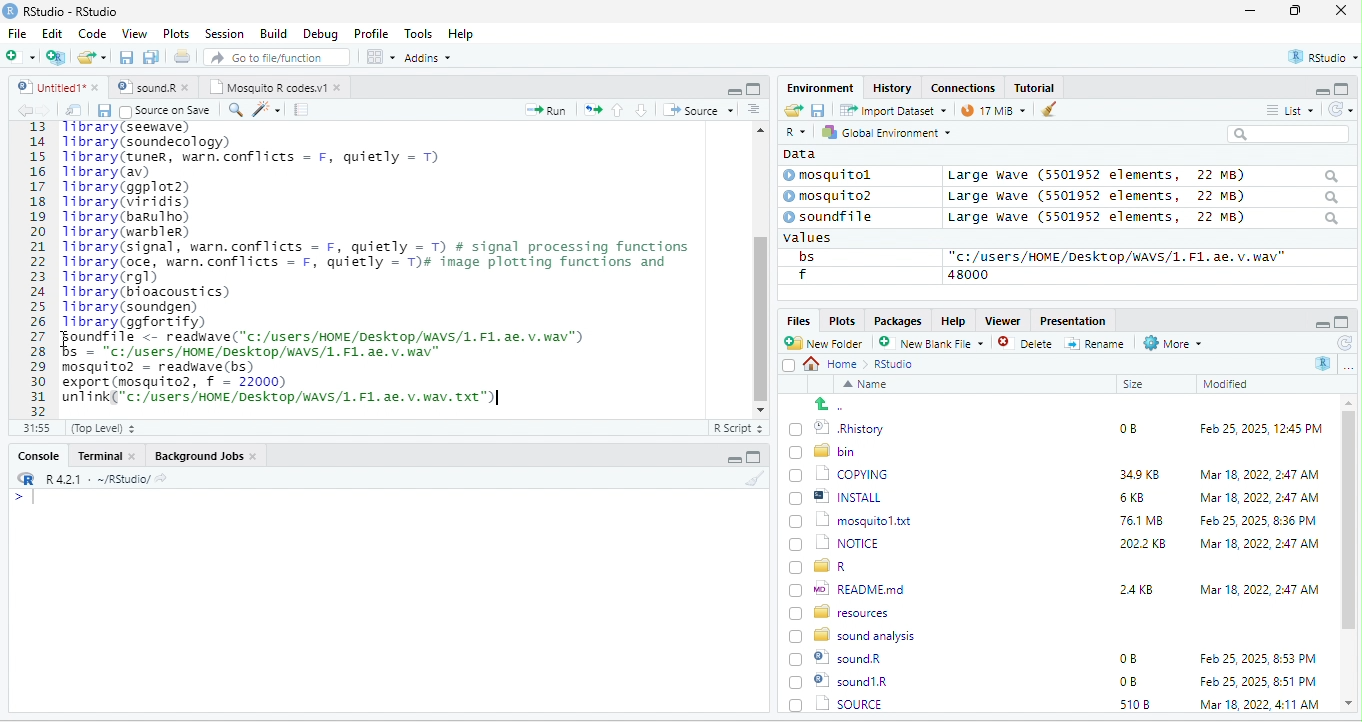 The width and height of the screenshot is (1362, 722). What do you see at coordinates (1133, 588) in the screenshot?
I see `24KB` at bounding box center [1133, 588].